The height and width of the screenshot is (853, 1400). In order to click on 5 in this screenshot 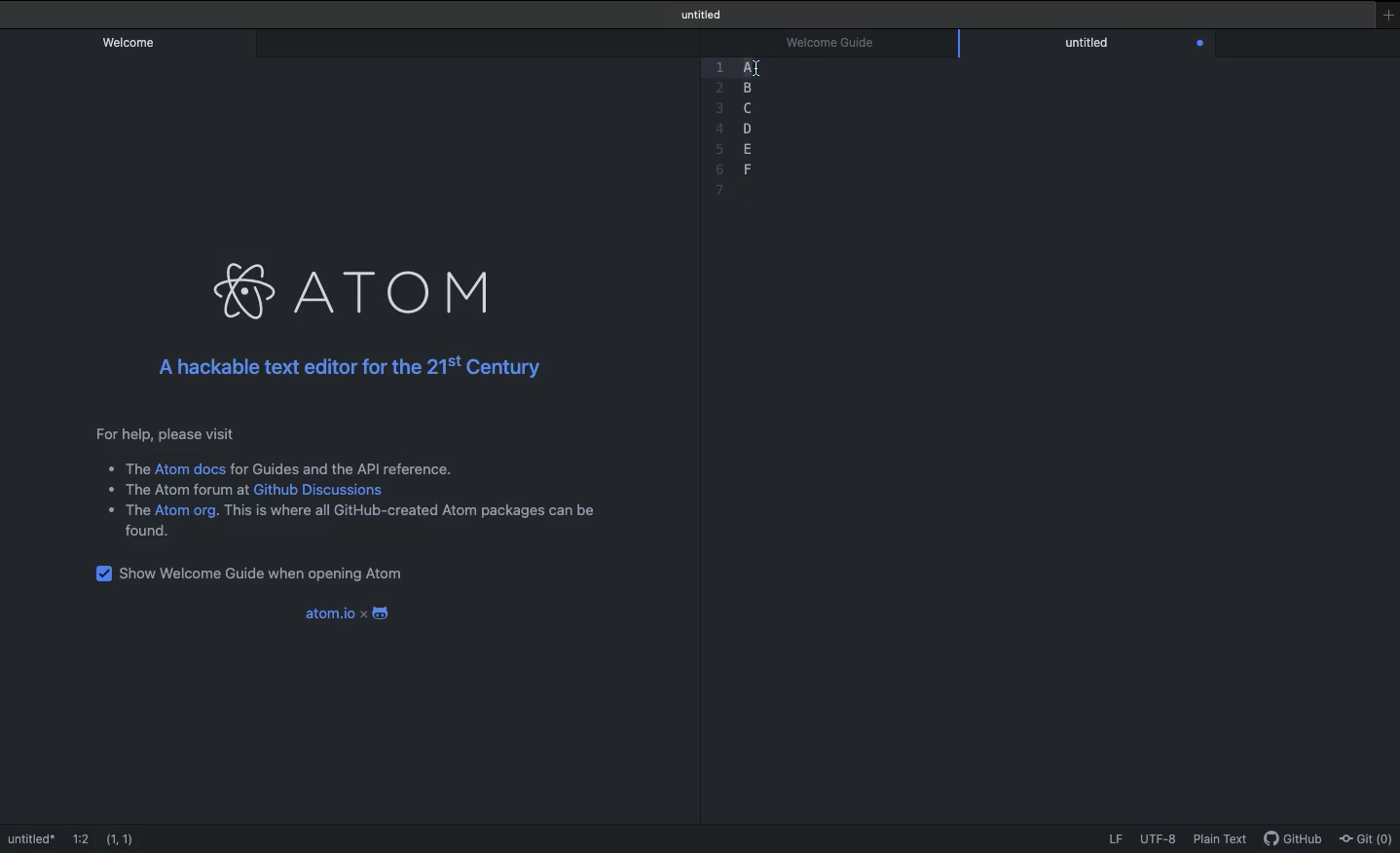, I will do `click(718, 150)`.